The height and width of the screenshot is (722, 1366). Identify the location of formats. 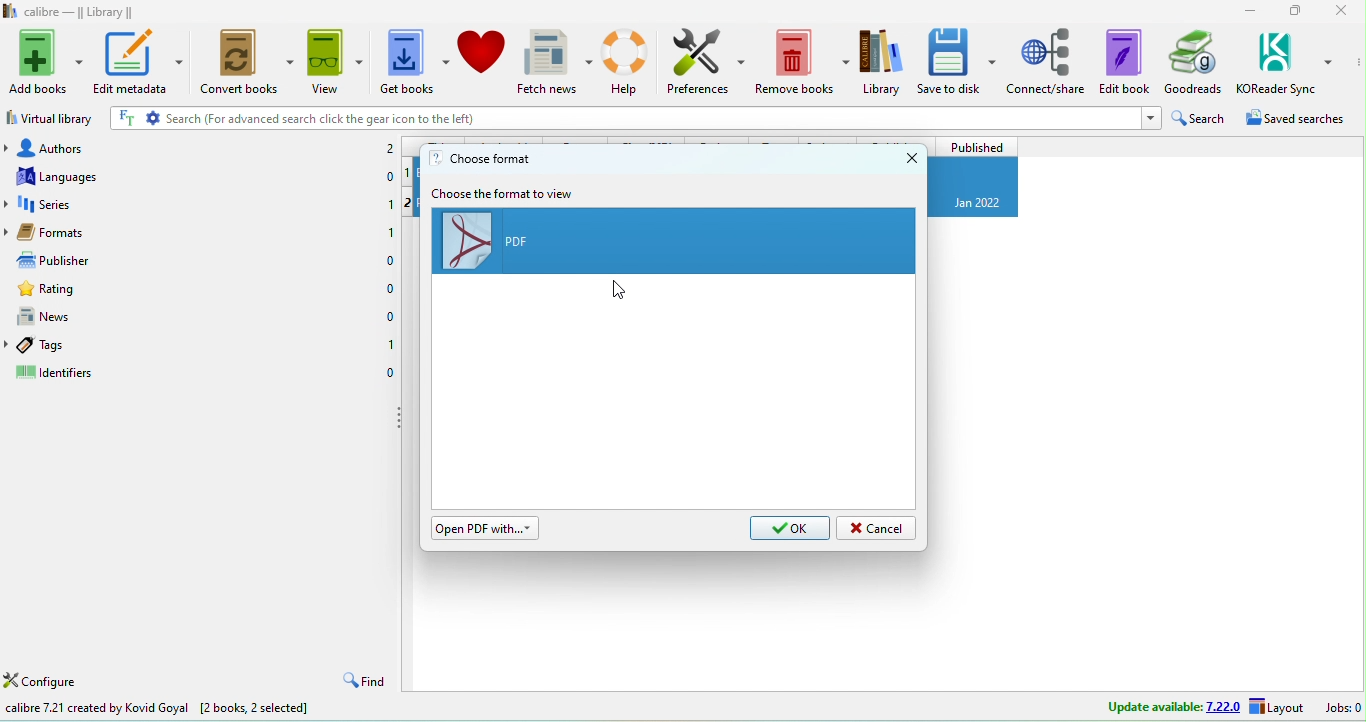
(83, 230).